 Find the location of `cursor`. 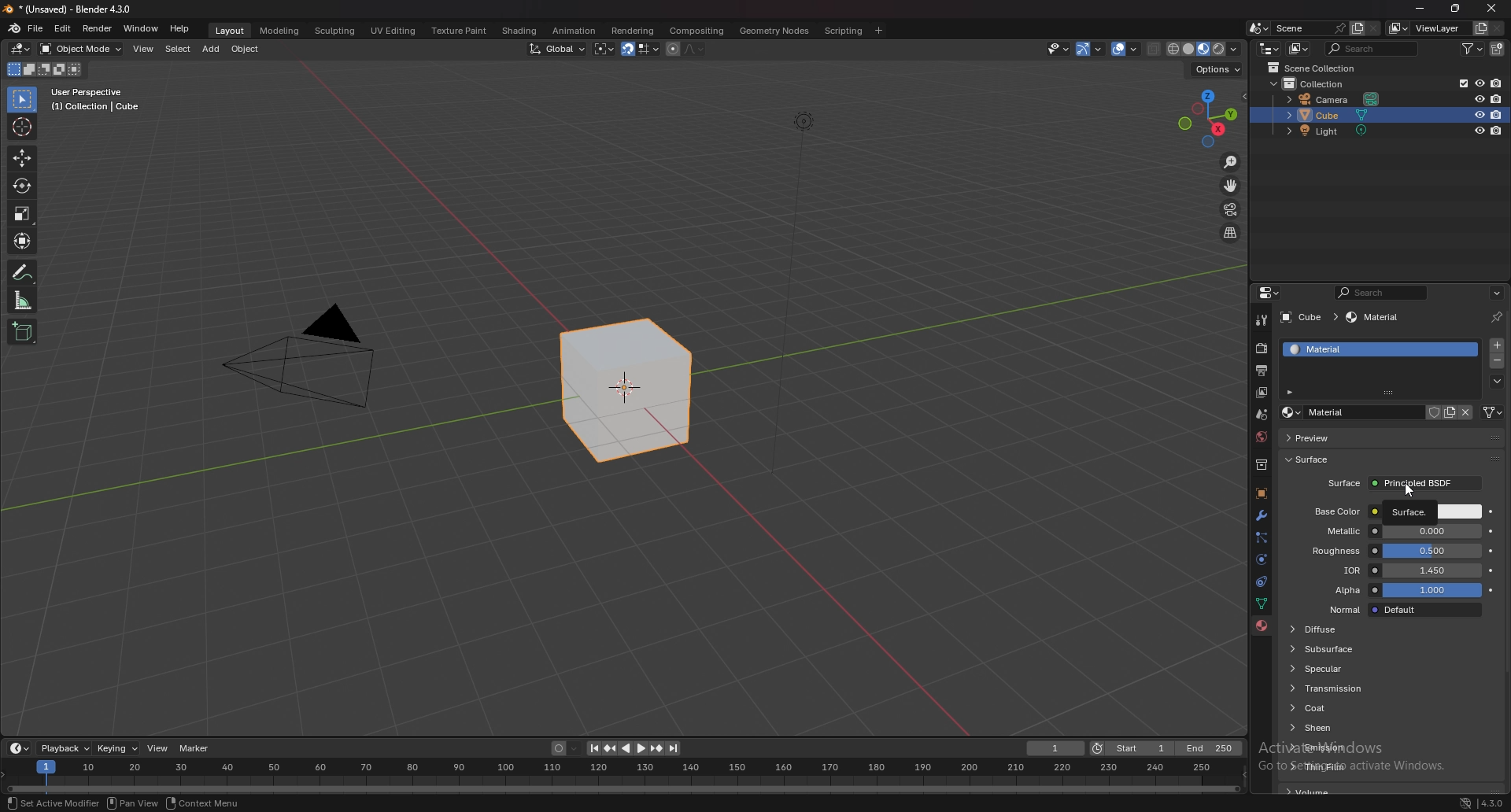

cursor is located at coordinates (1409, 495).